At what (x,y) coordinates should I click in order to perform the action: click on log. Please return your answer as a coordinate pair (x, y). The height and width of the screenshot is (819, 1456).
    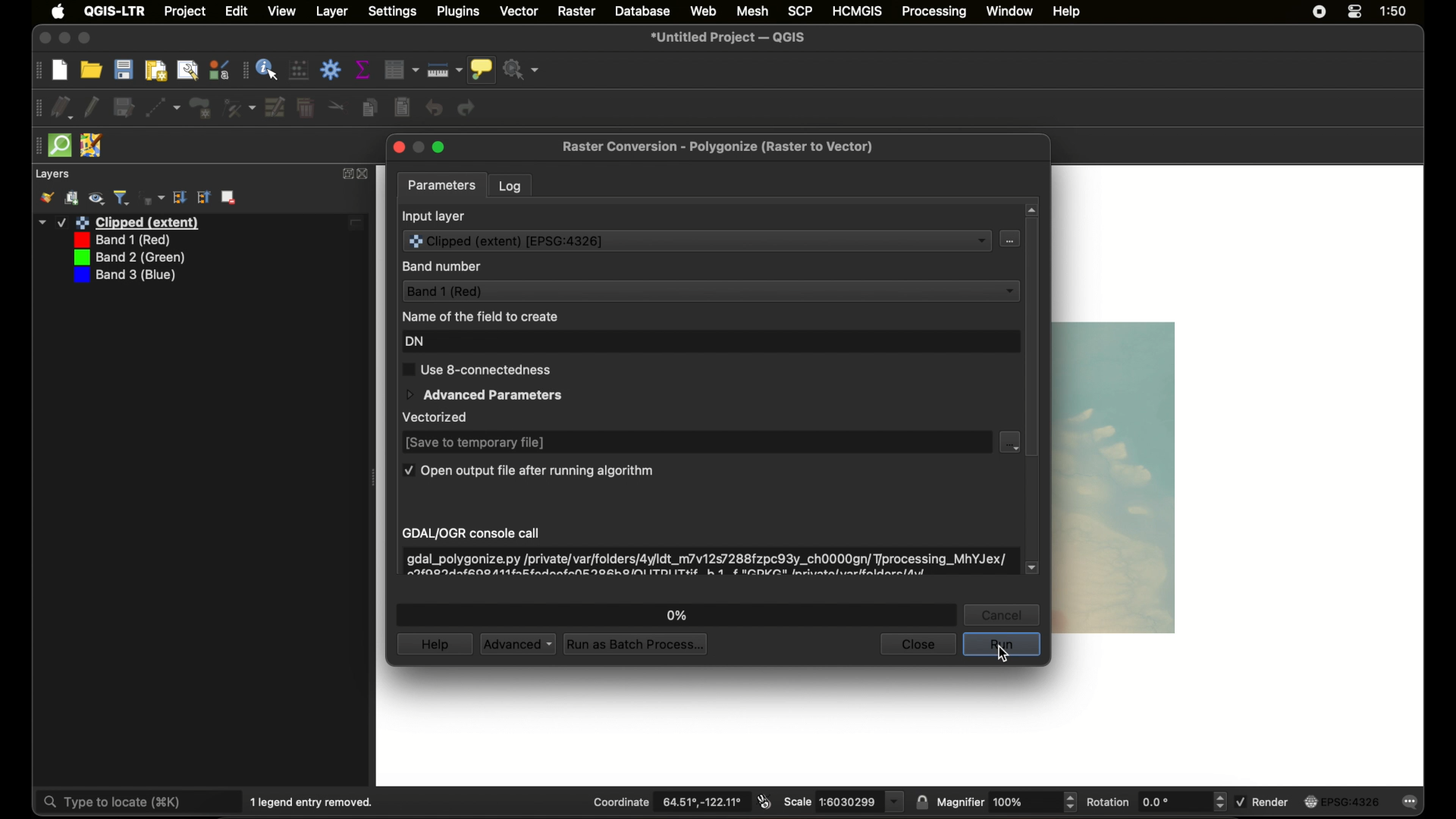
    Looking at the image, I should click on (510, 187).